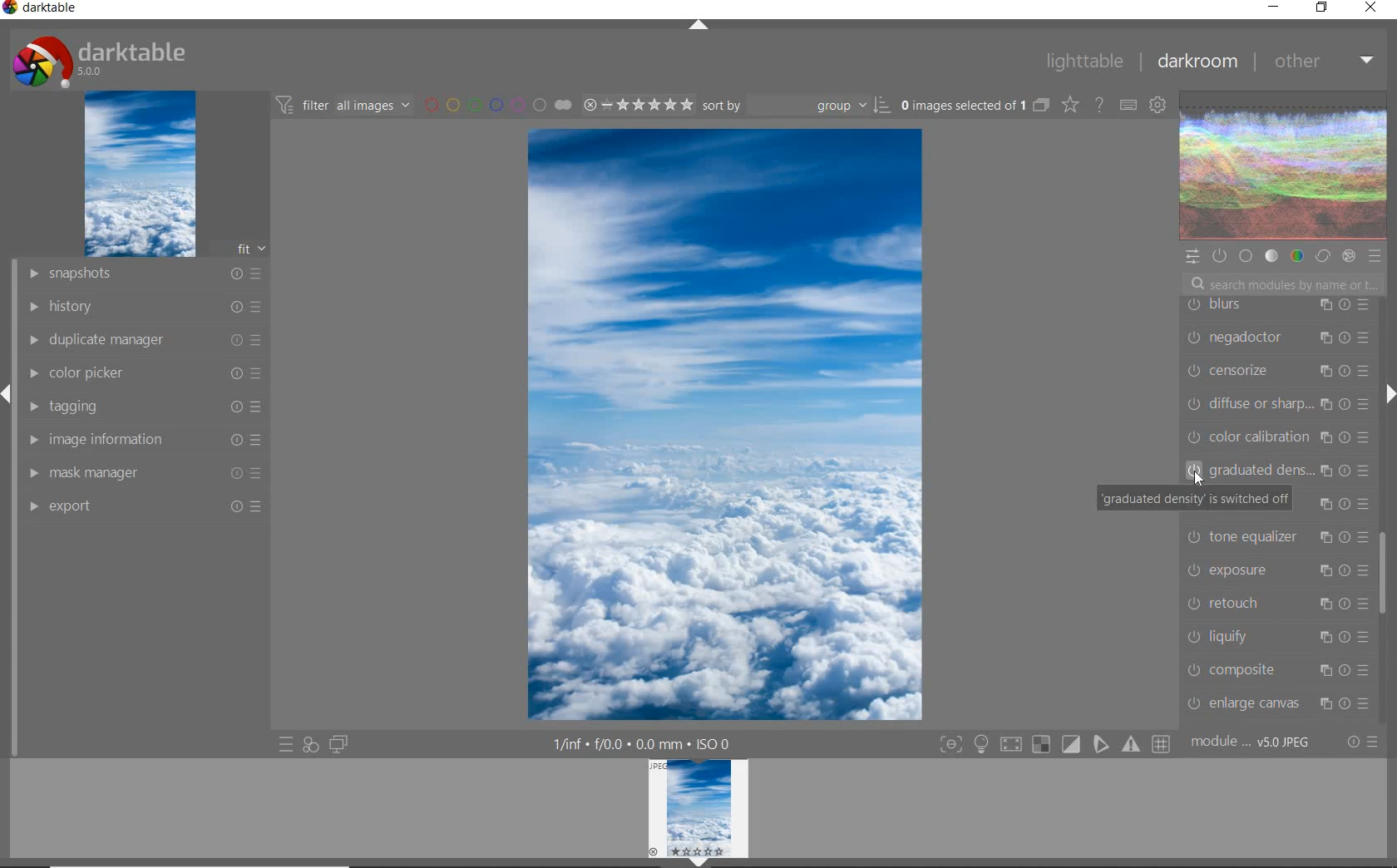 This screenshot has height=868, width=1397. What do you see at coordinates (1054, 747) in the screenshot?
I see `TOGGLE MODES` at bounding box center [1054, 747].